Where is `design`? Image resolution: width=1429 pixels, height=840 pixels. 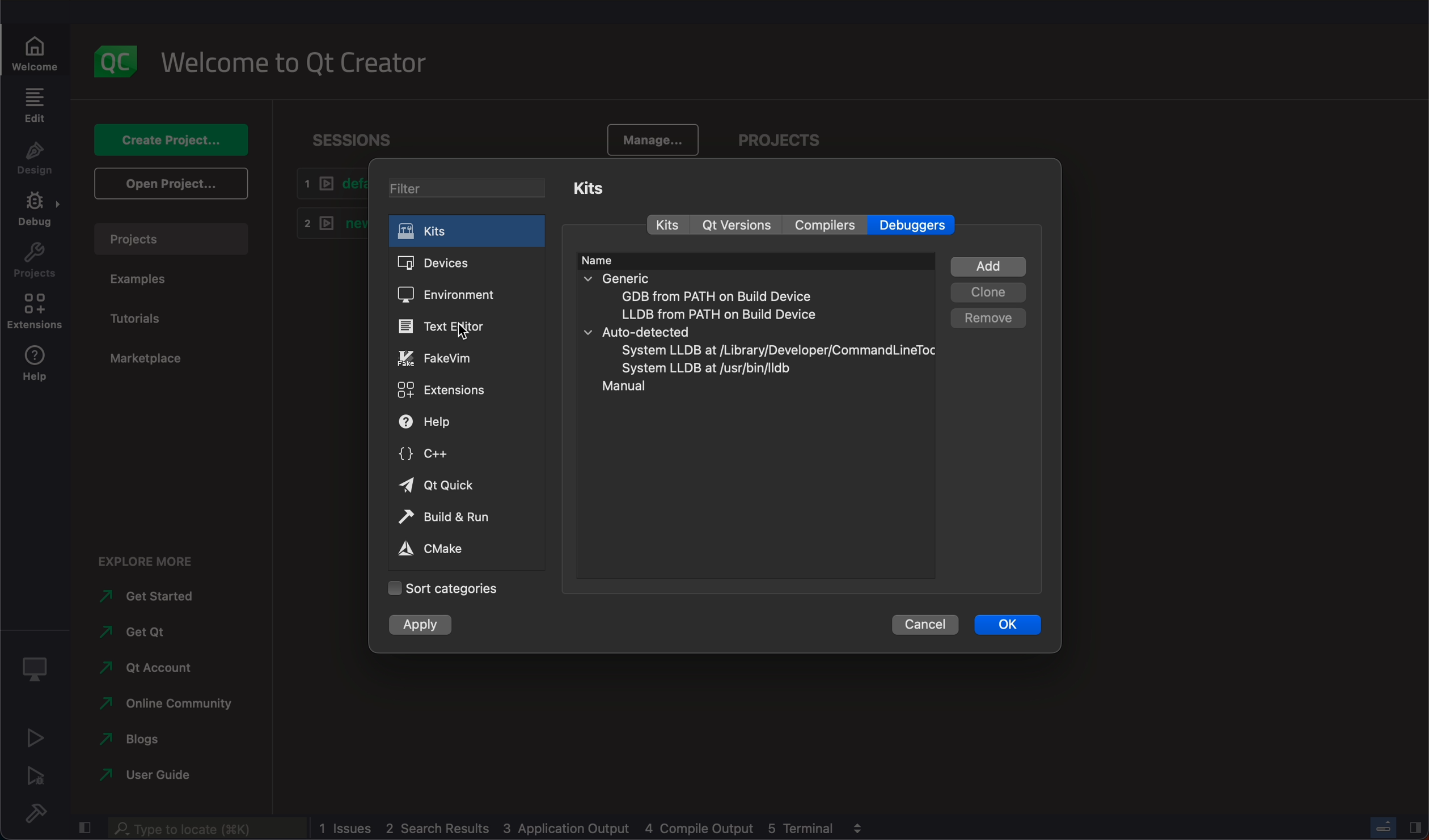
design is located at coordinates (33, 161).